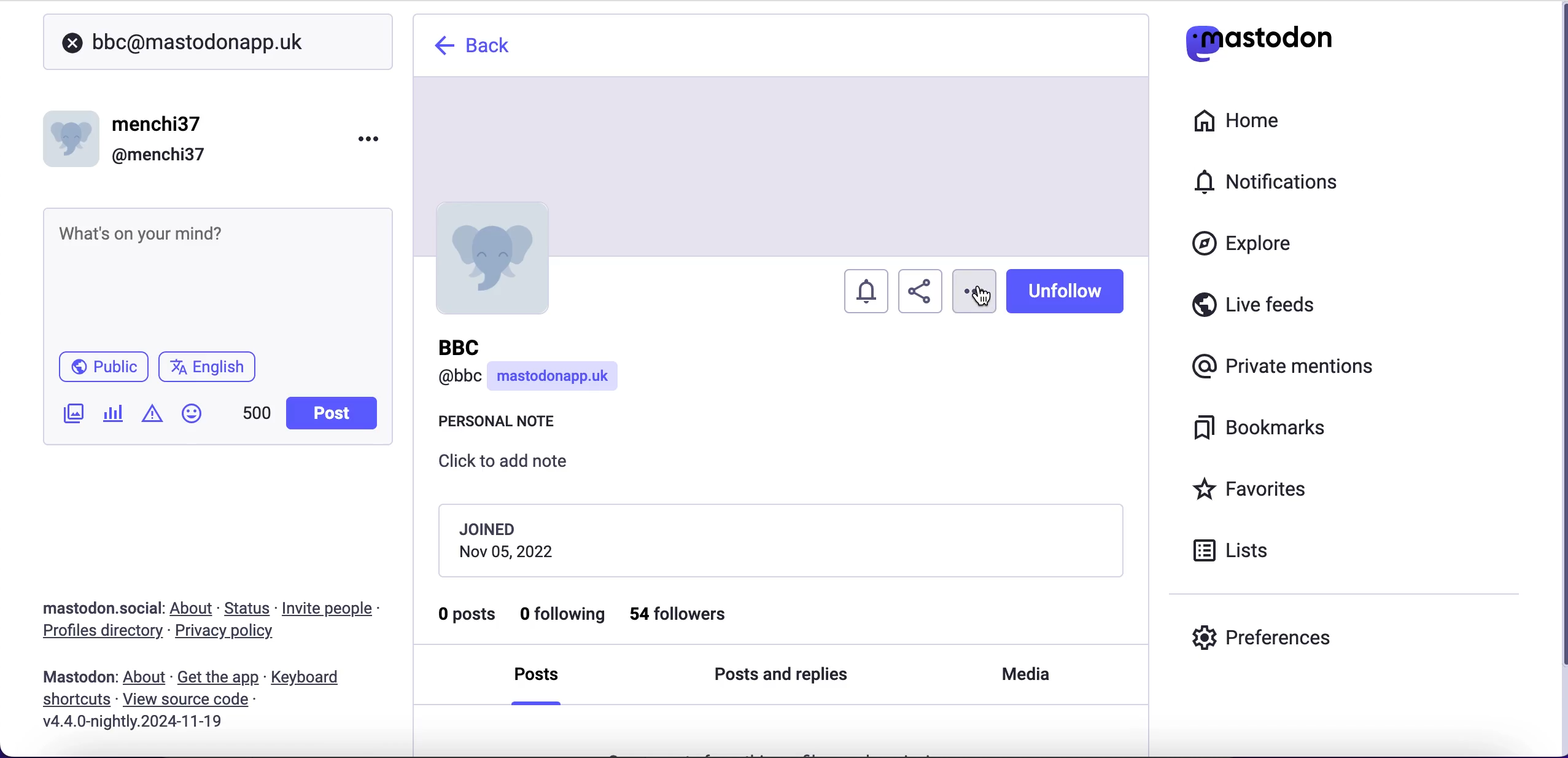 The height and width of the screenshot is (758, 1568). Describe the element at coordinates (373, 138) in the screenshot. I see `menu options` at that location.